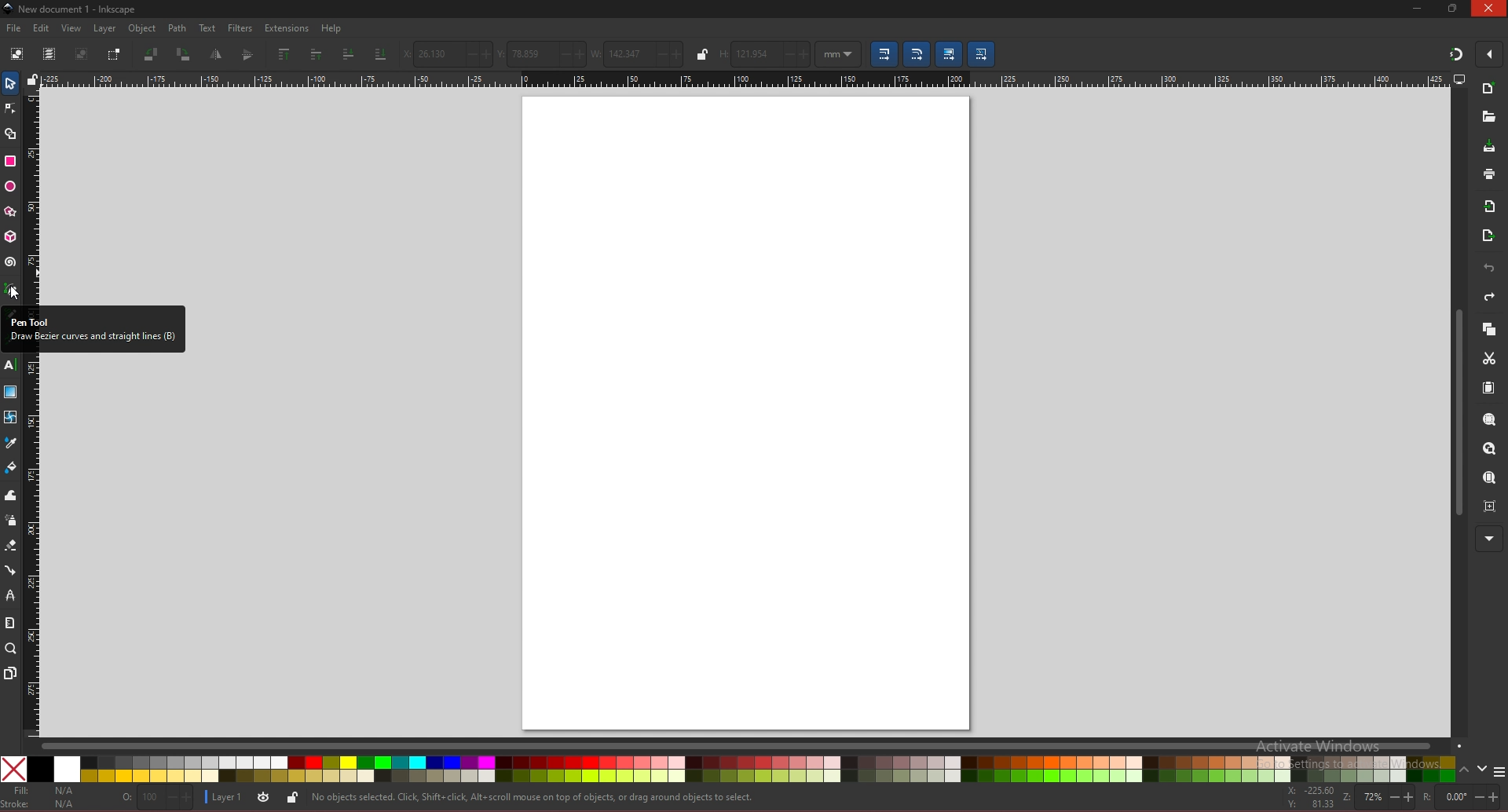  What do you see at coordinates (286, 29) in the screenshot?
I see `extensions` at bounding box center [286, 29].